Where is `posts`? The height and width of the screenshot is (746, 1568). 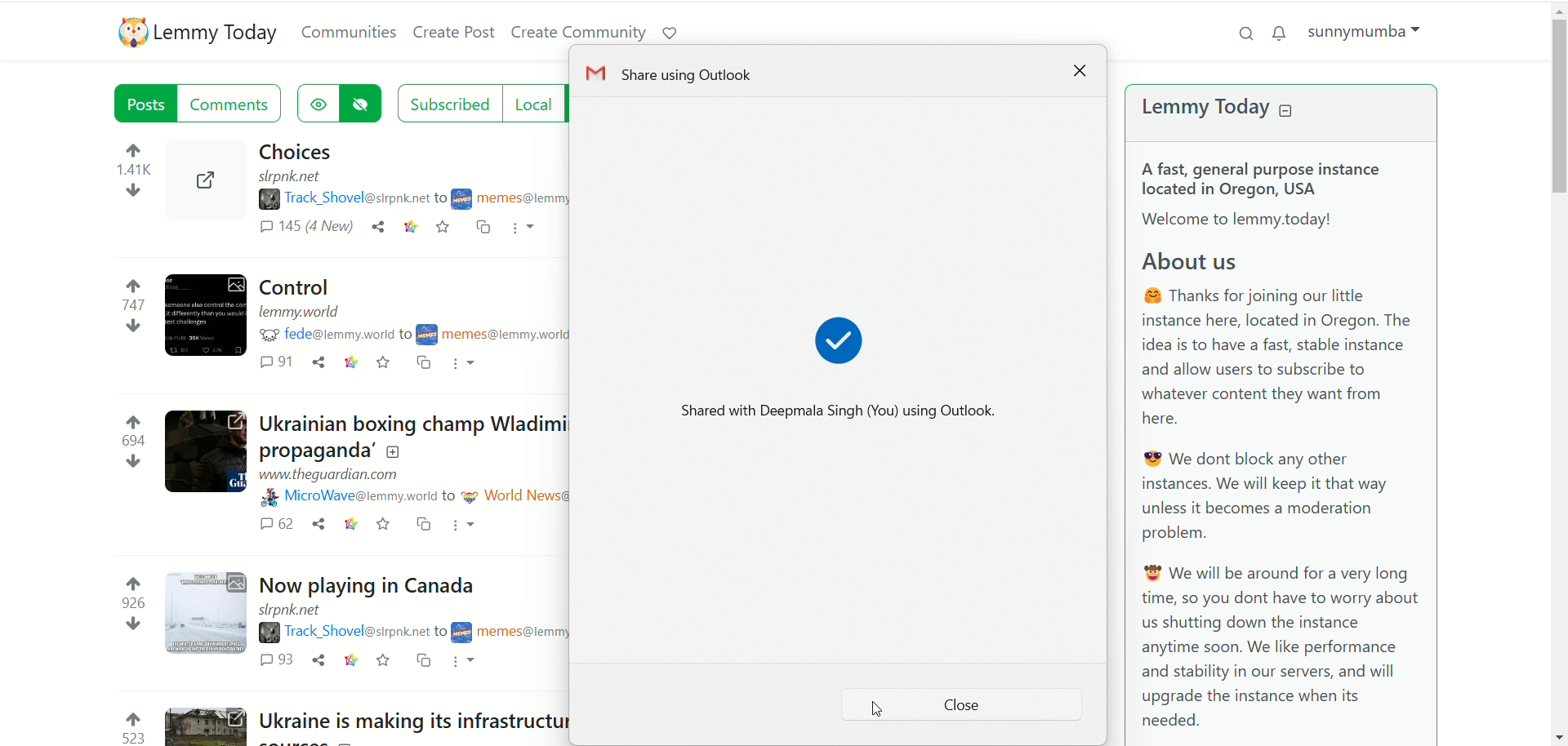 posts is located at coordinates (146, 102).